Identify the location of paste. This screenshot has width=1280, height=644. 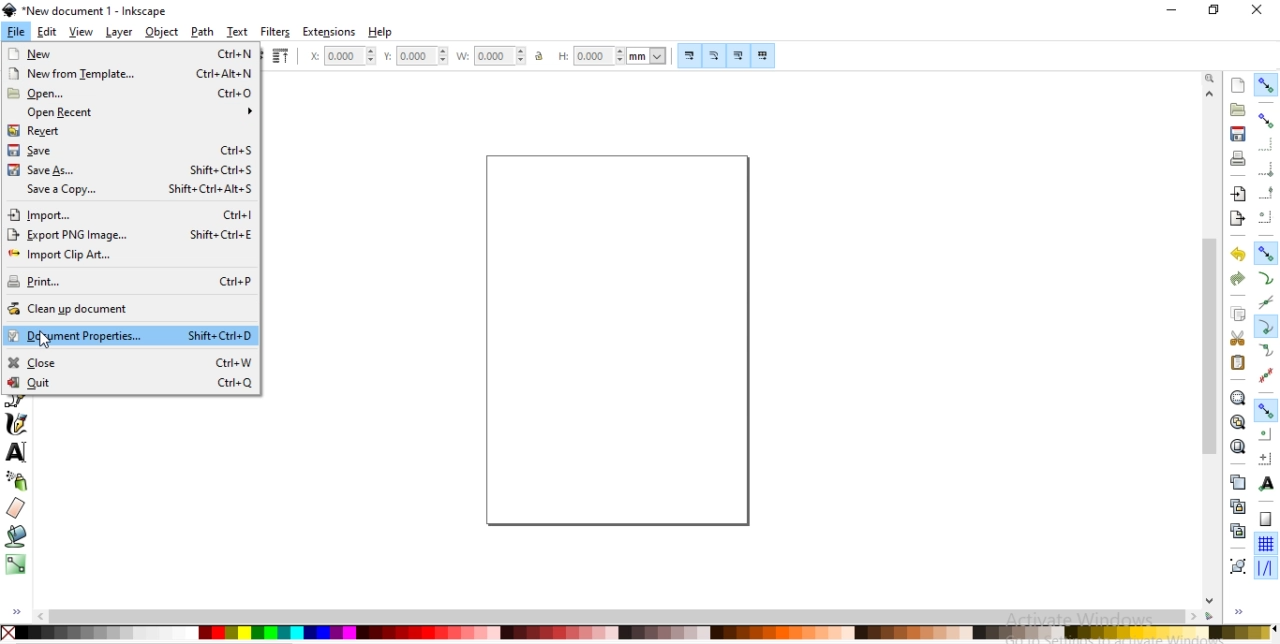
(1238, 363).